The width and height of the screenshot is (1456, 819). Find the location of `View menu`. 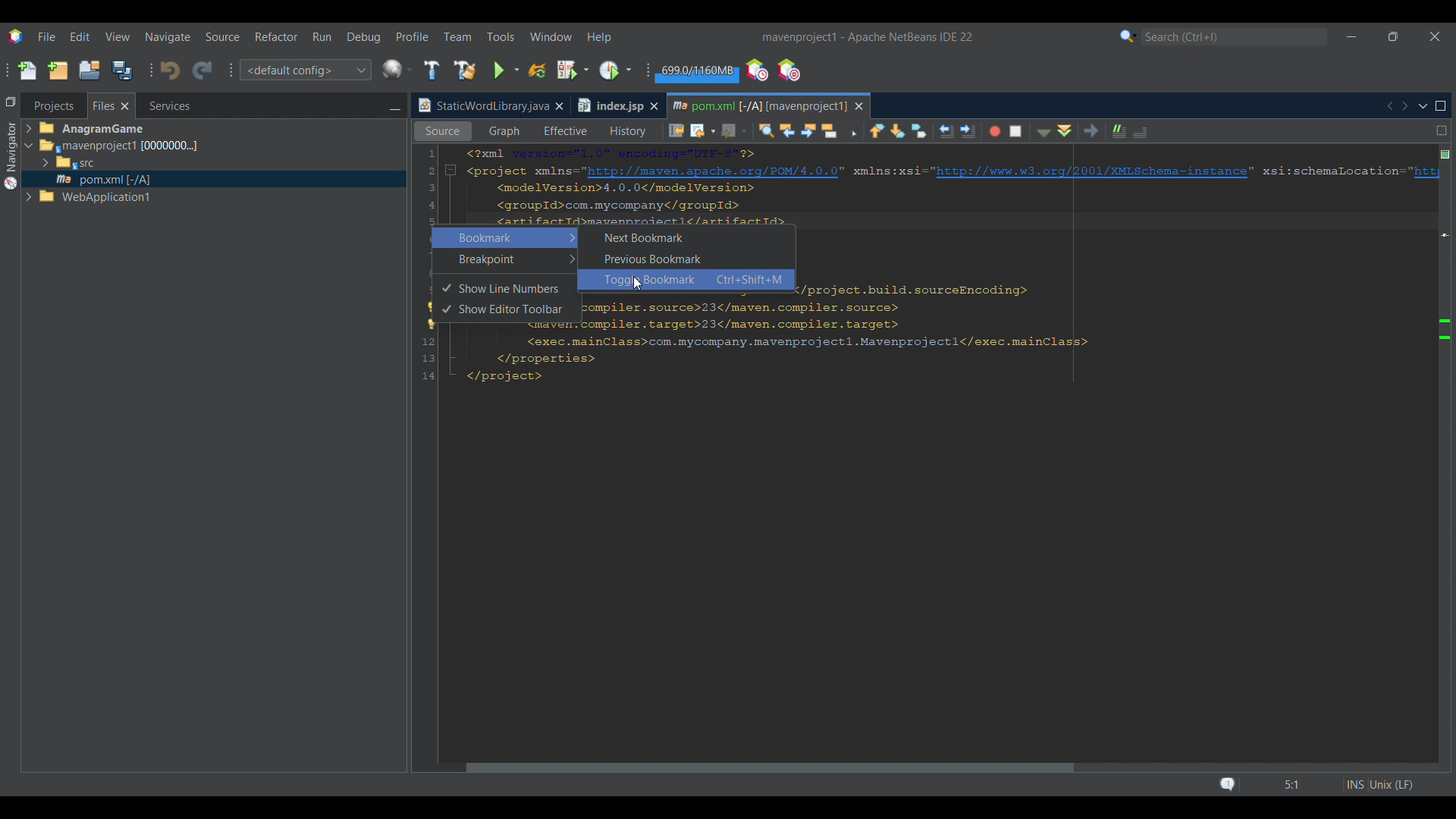

View menu is located at coordinates (118, 37).